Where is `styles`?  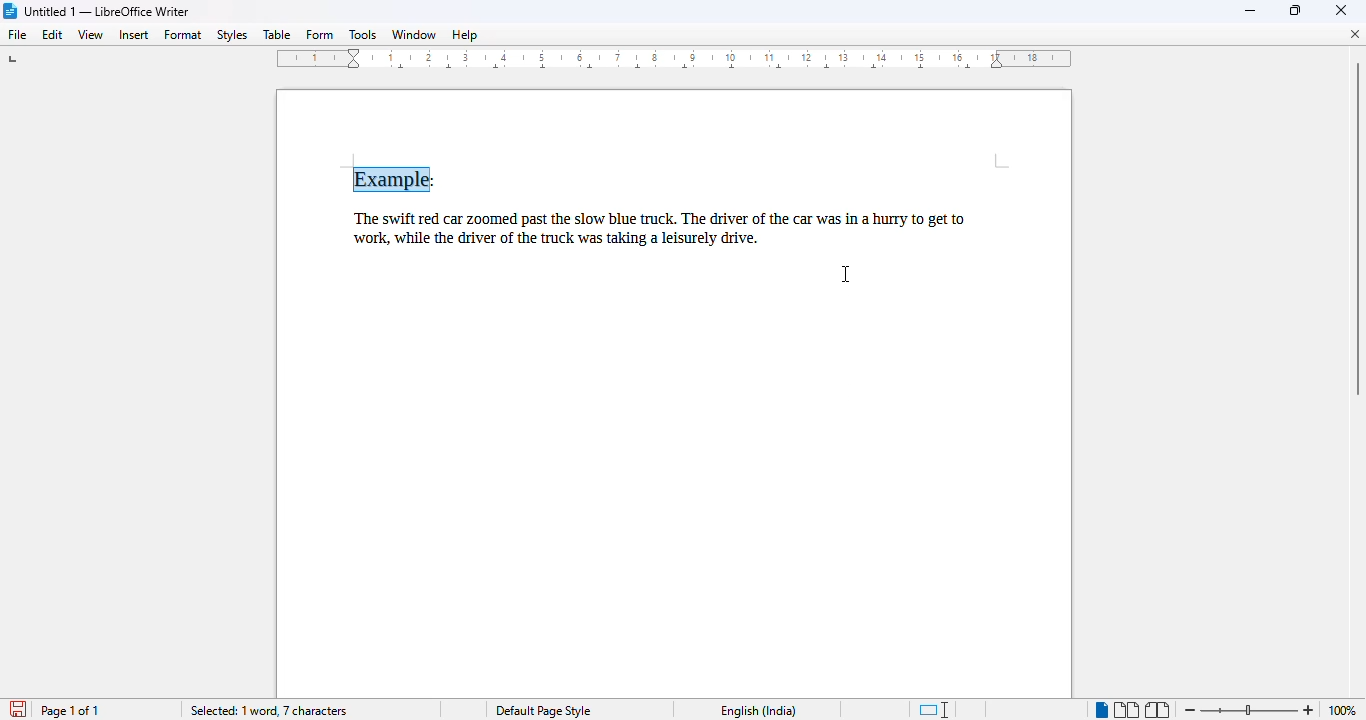 styles is located at coordinates (233, 35).